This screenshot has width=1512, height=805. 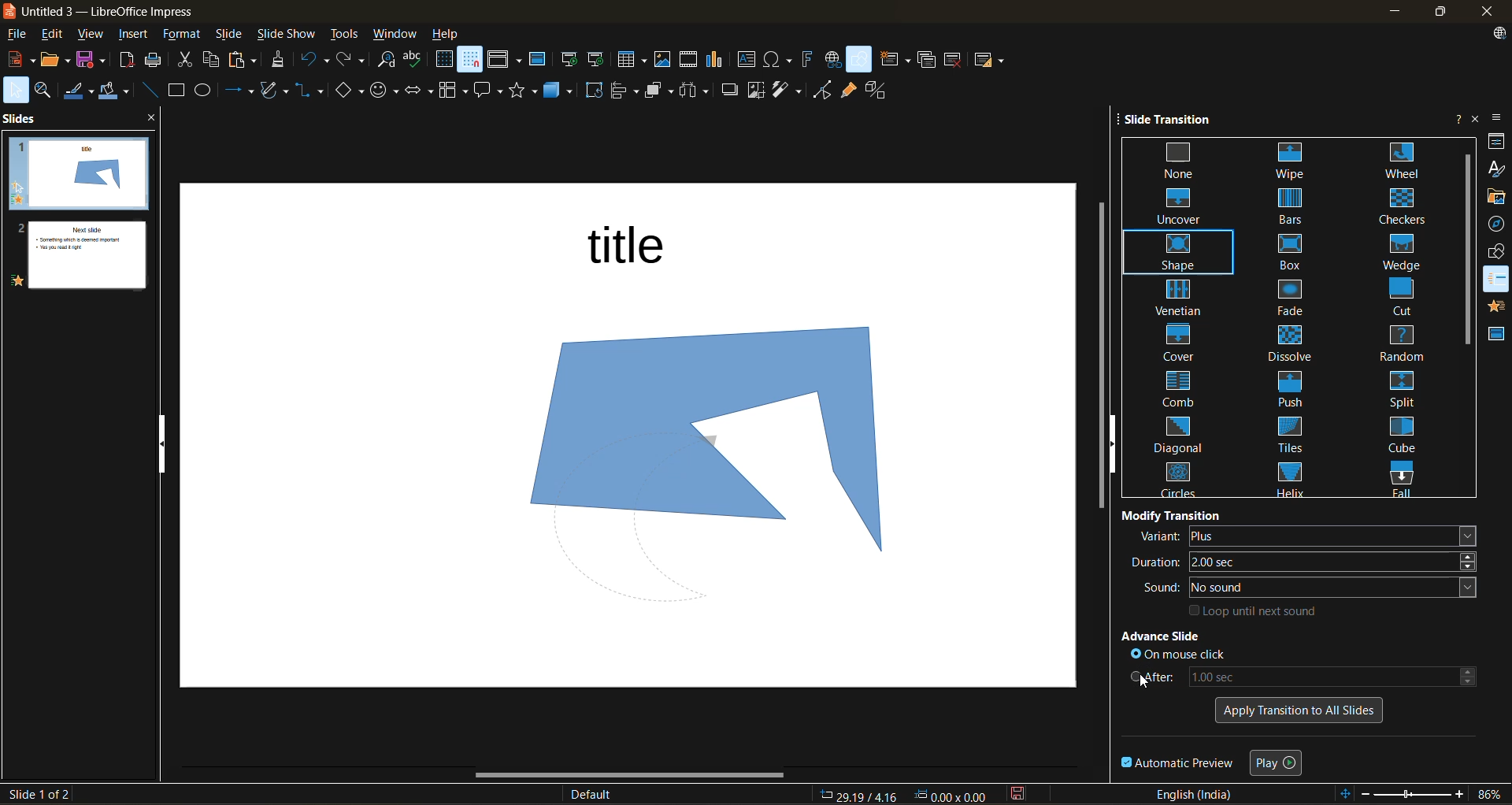 What do you see at coordinates (283, 61) in the screenshot?
I see `clone formatting` at bounding box center [283, 61].